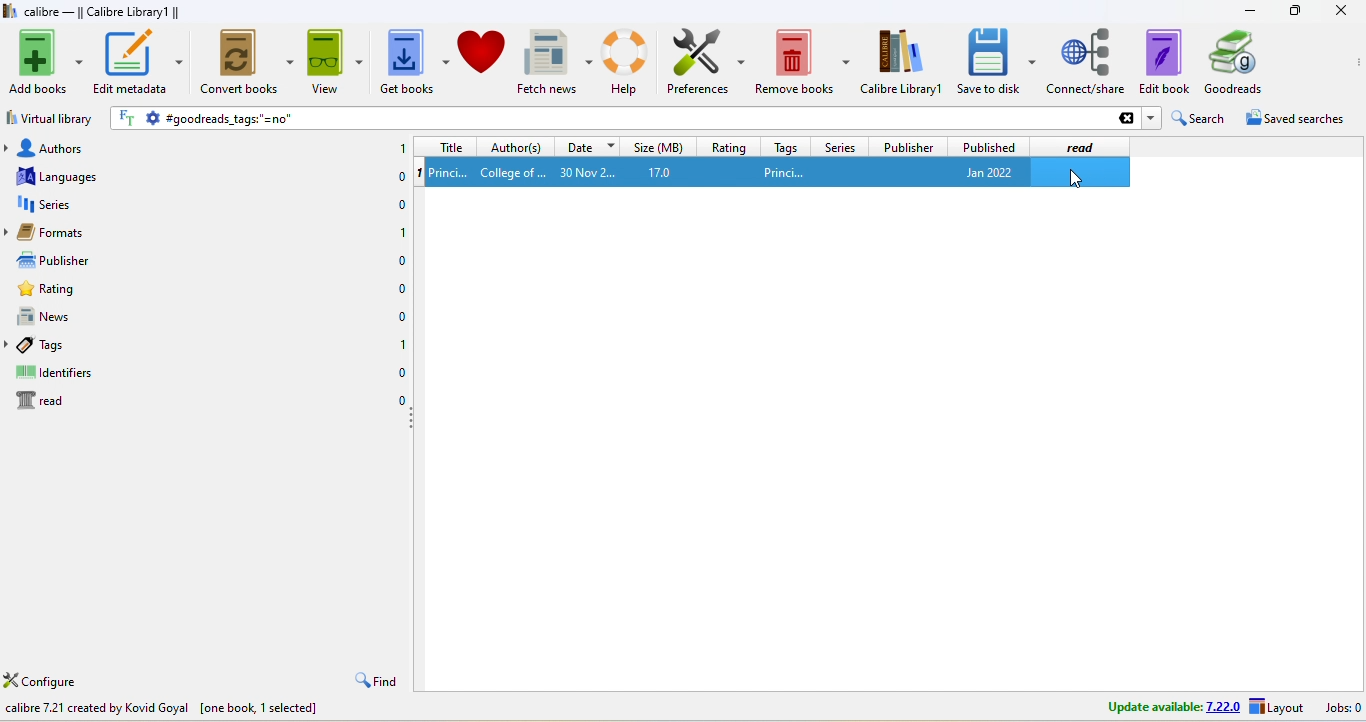  I want to click on find, so click(375, 679).